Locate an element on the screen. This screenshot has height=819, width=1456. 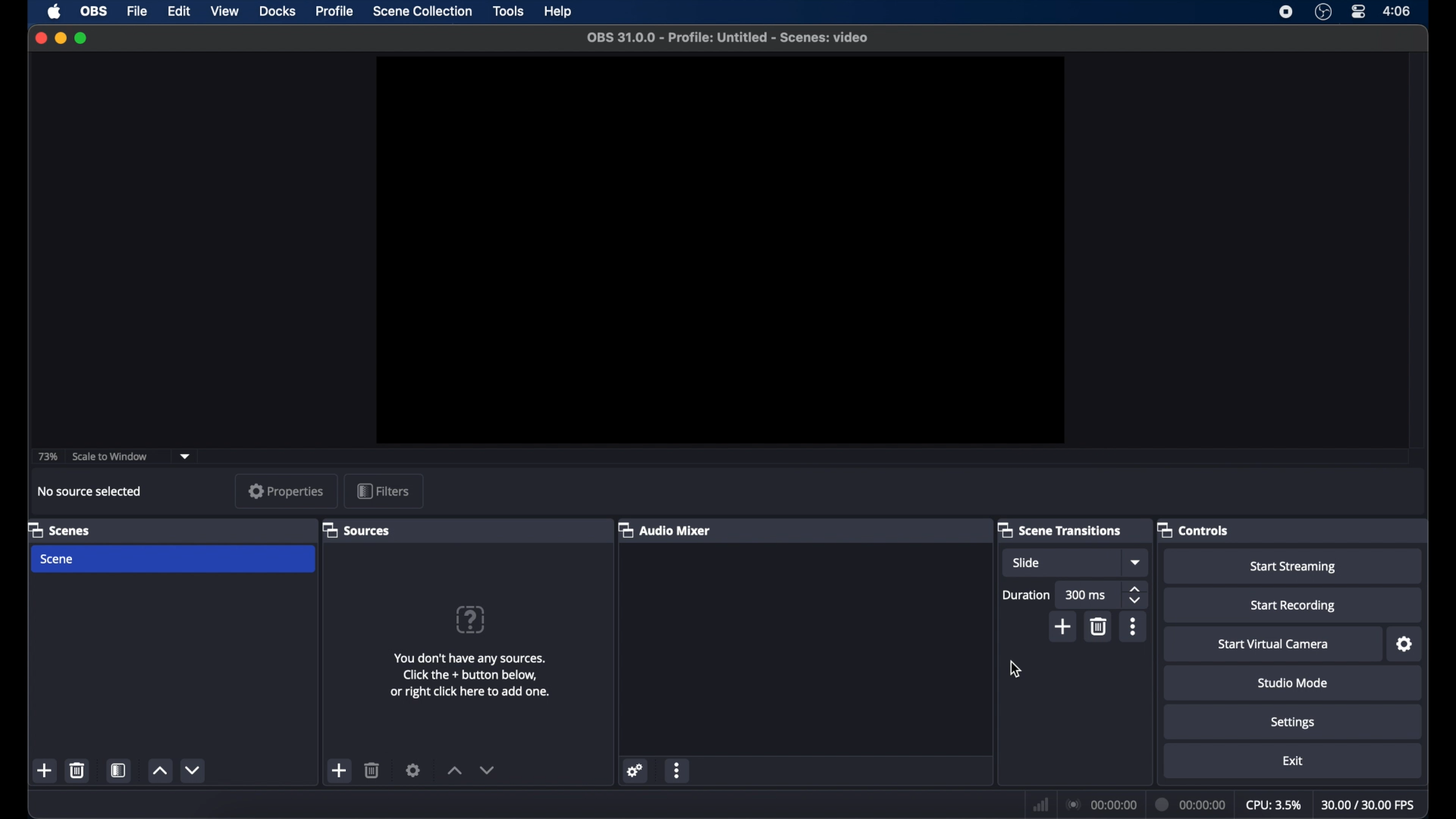
scene collection is located at coordinates (422, 11).